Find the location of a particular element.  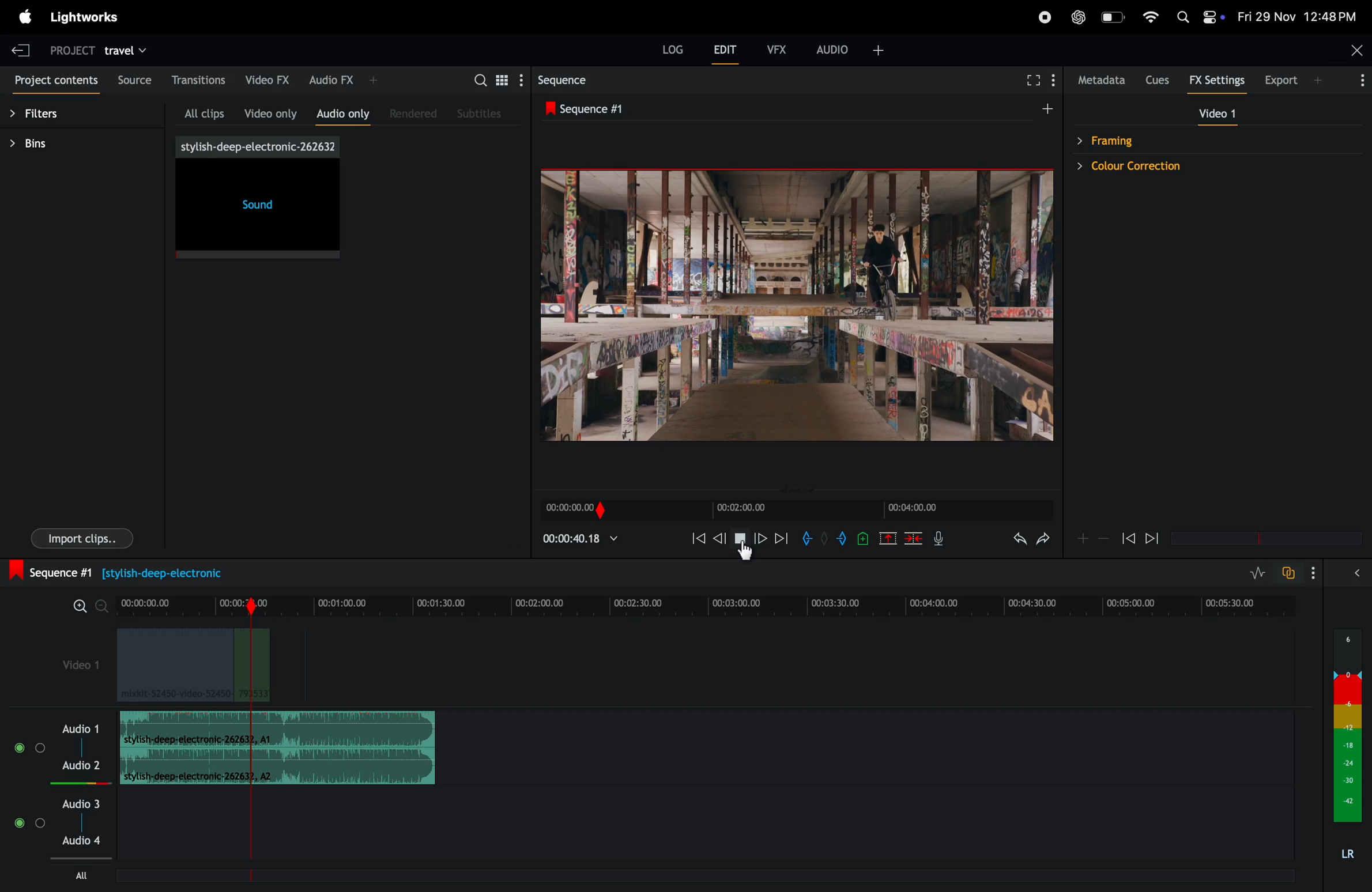

video fx is located at coordinates (270, 78).